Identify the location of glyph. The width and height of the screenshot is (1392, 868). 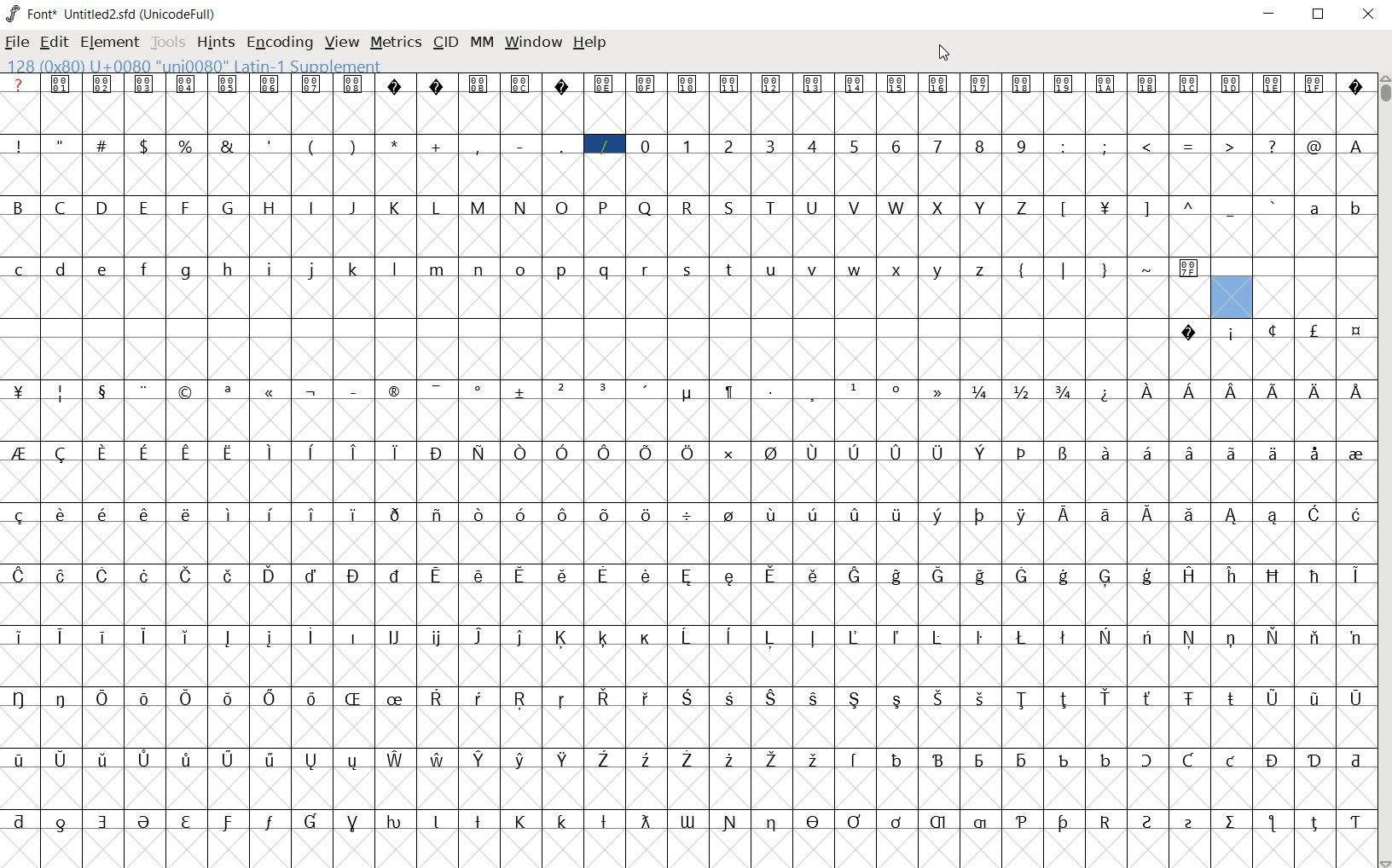
(1147, 452).